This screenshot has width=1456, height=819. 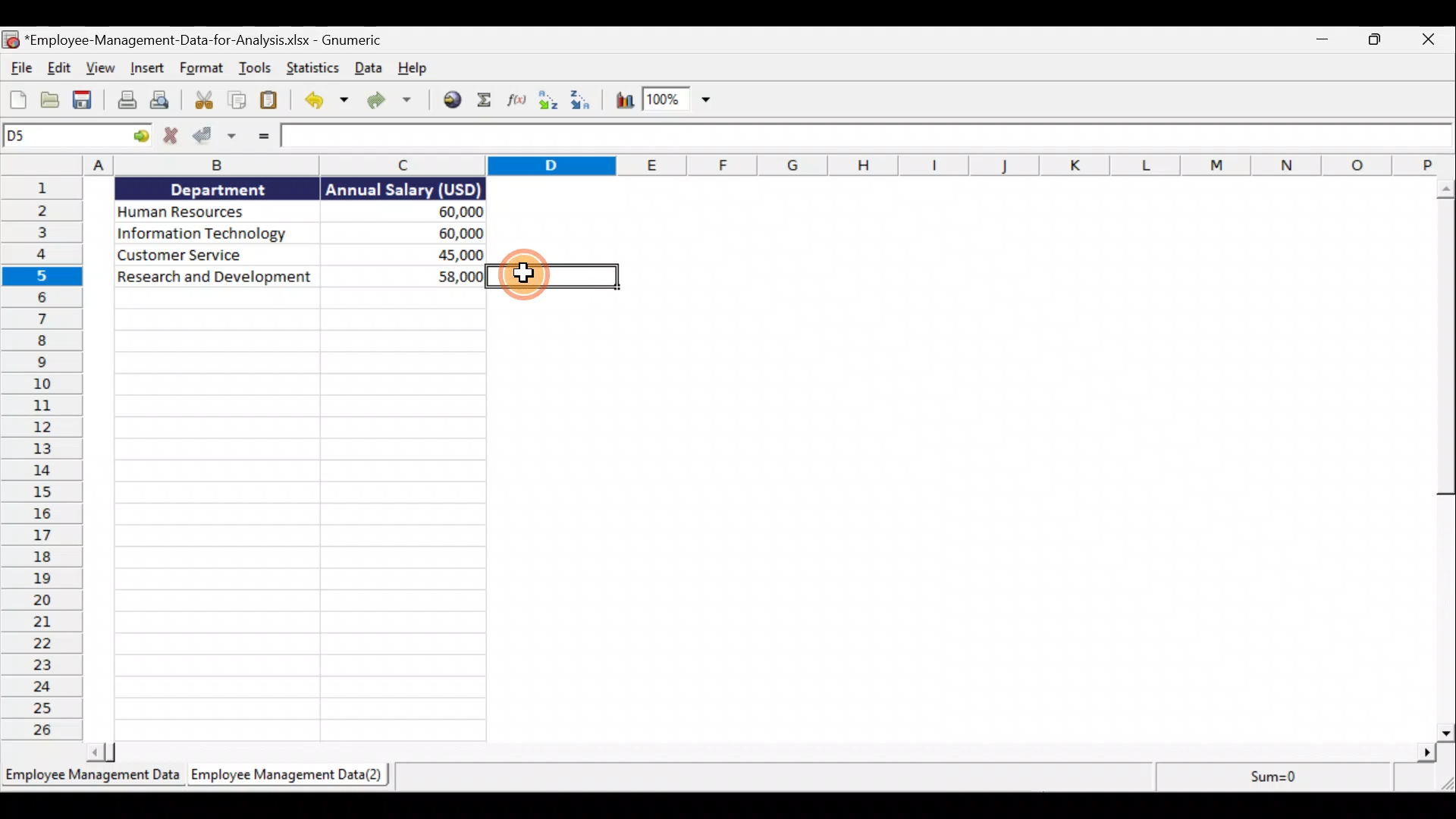 What do you see at coordinates (102, 69) in the screenshot?
I see `View` at bounding box center [102, 69].